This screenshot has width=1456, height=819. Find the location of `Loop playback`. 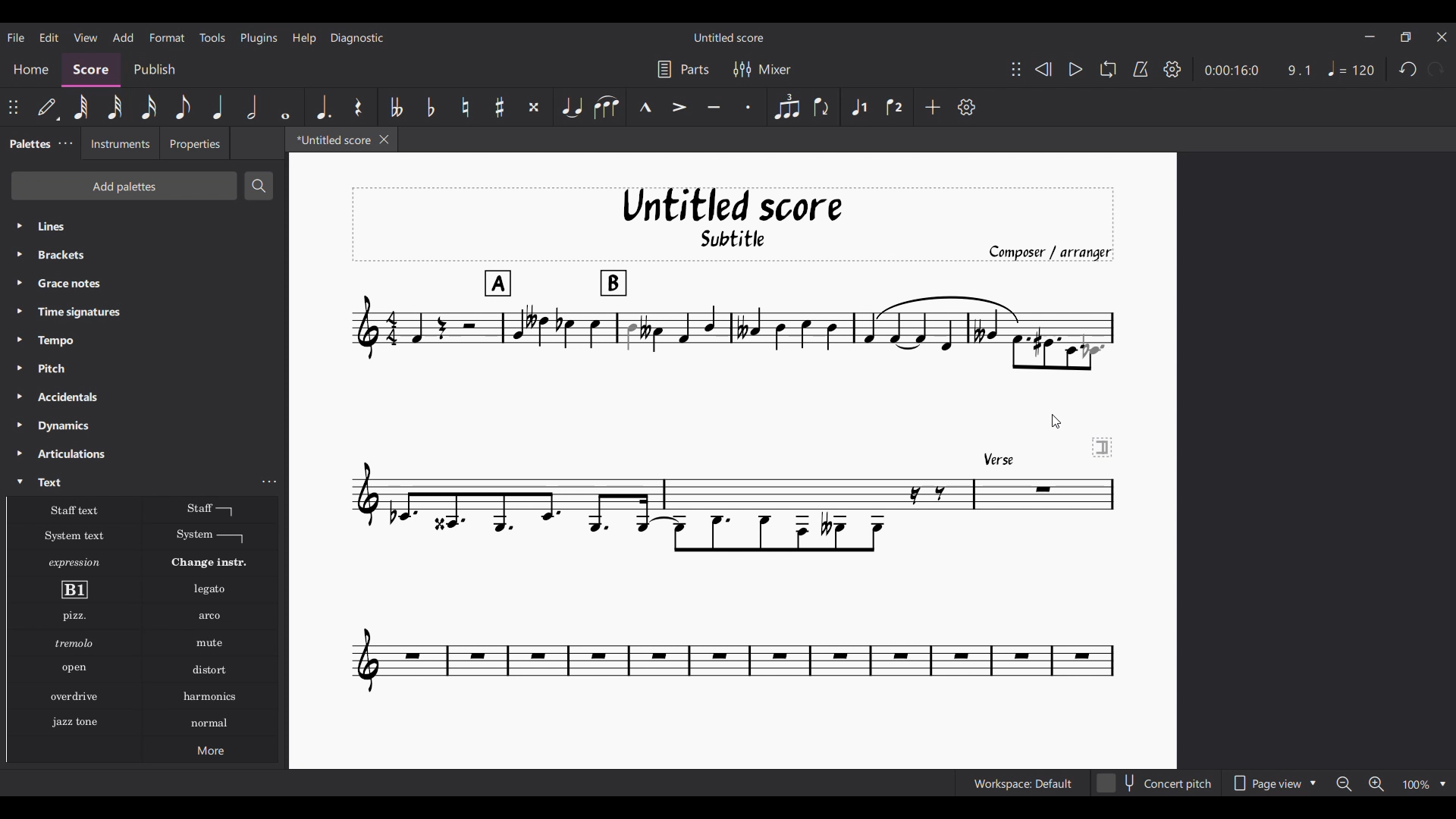

Loop playback is located at coordinates (1108, 69).